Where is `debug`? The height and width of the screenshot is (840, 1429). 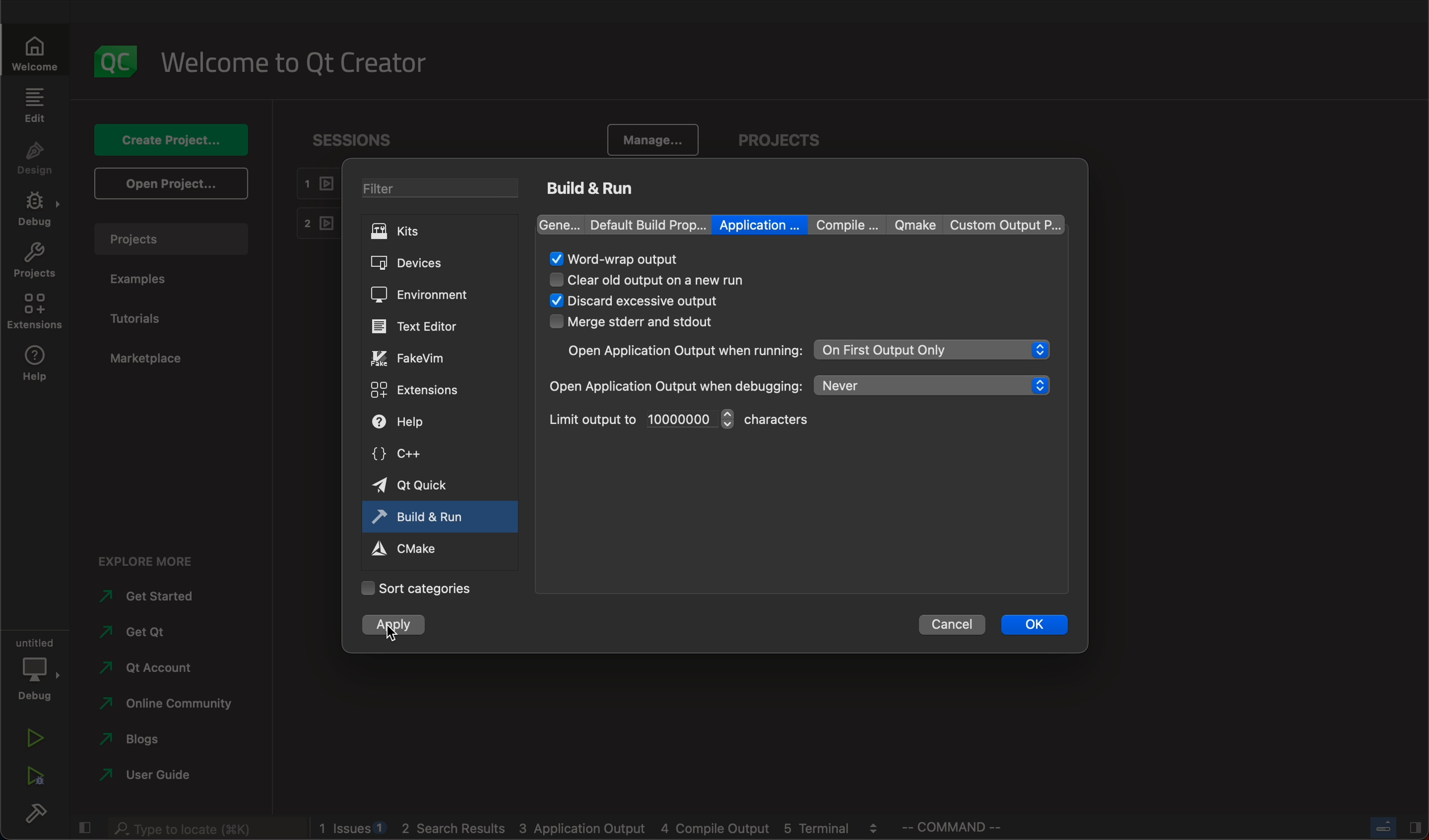
debug is located at coordinates (35, 208).